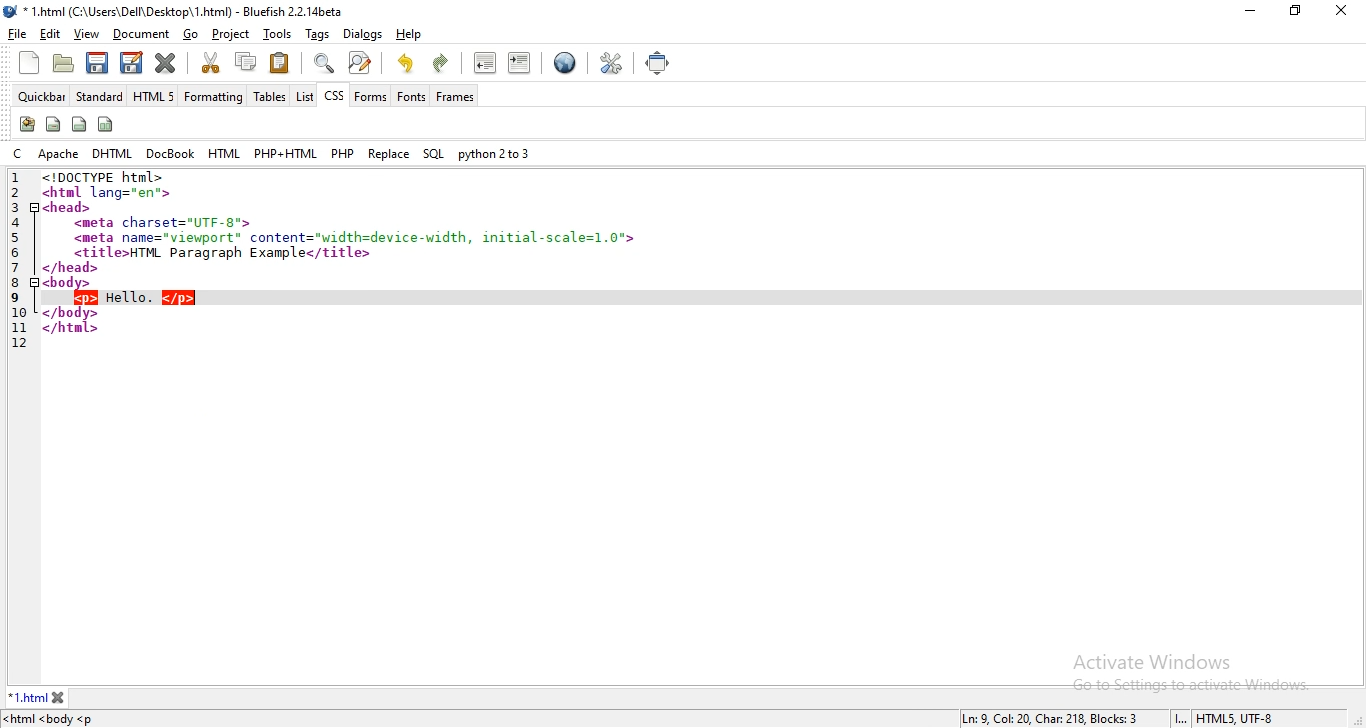 The width and height of the screenshot is (1366, 728). What do you see at coordinates (63, 63) in the screenshot?
I see `open file` at bounding box center [63, 63].